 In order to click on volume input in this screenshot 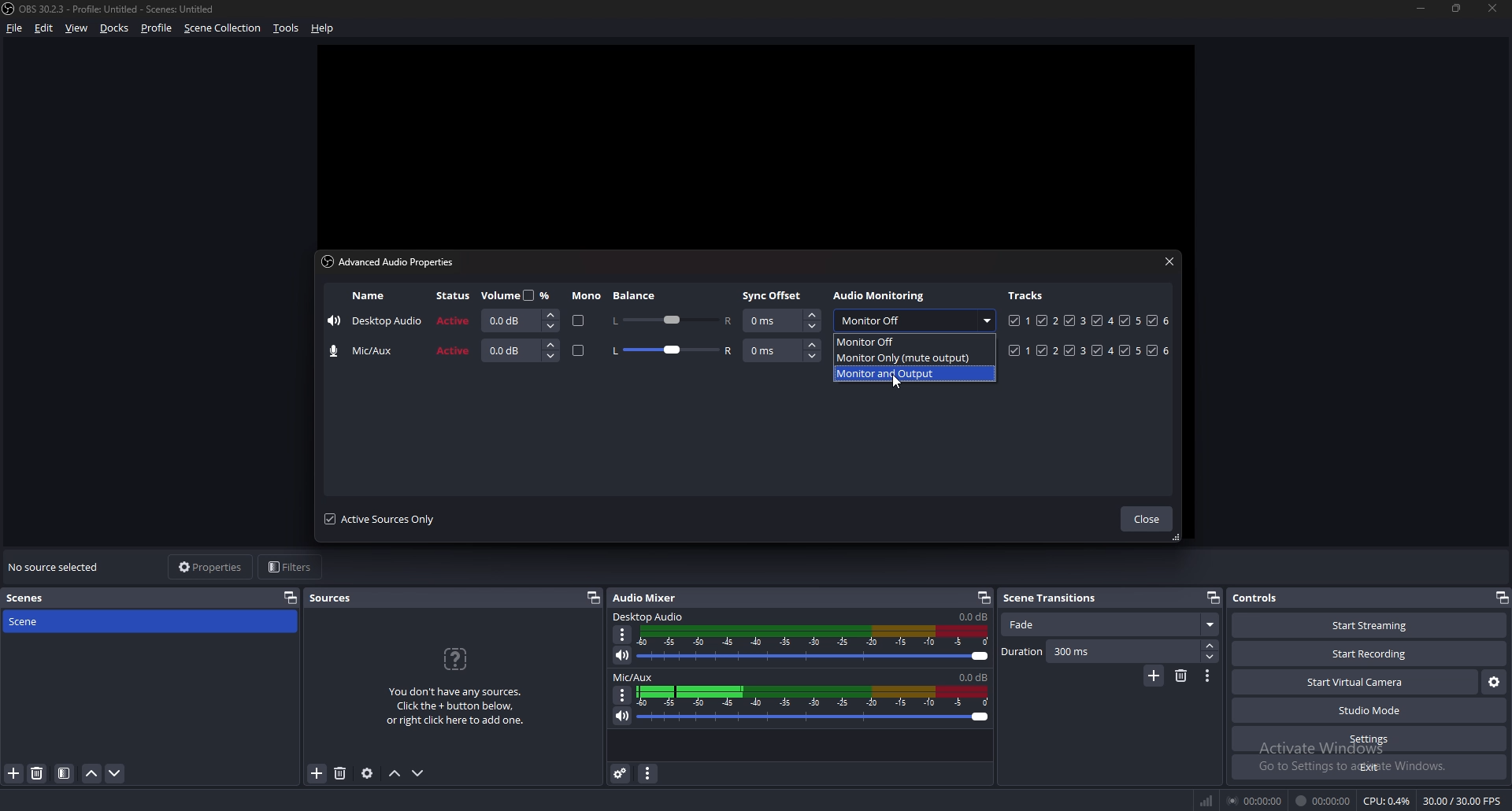, I will do `click(521, 350)`.